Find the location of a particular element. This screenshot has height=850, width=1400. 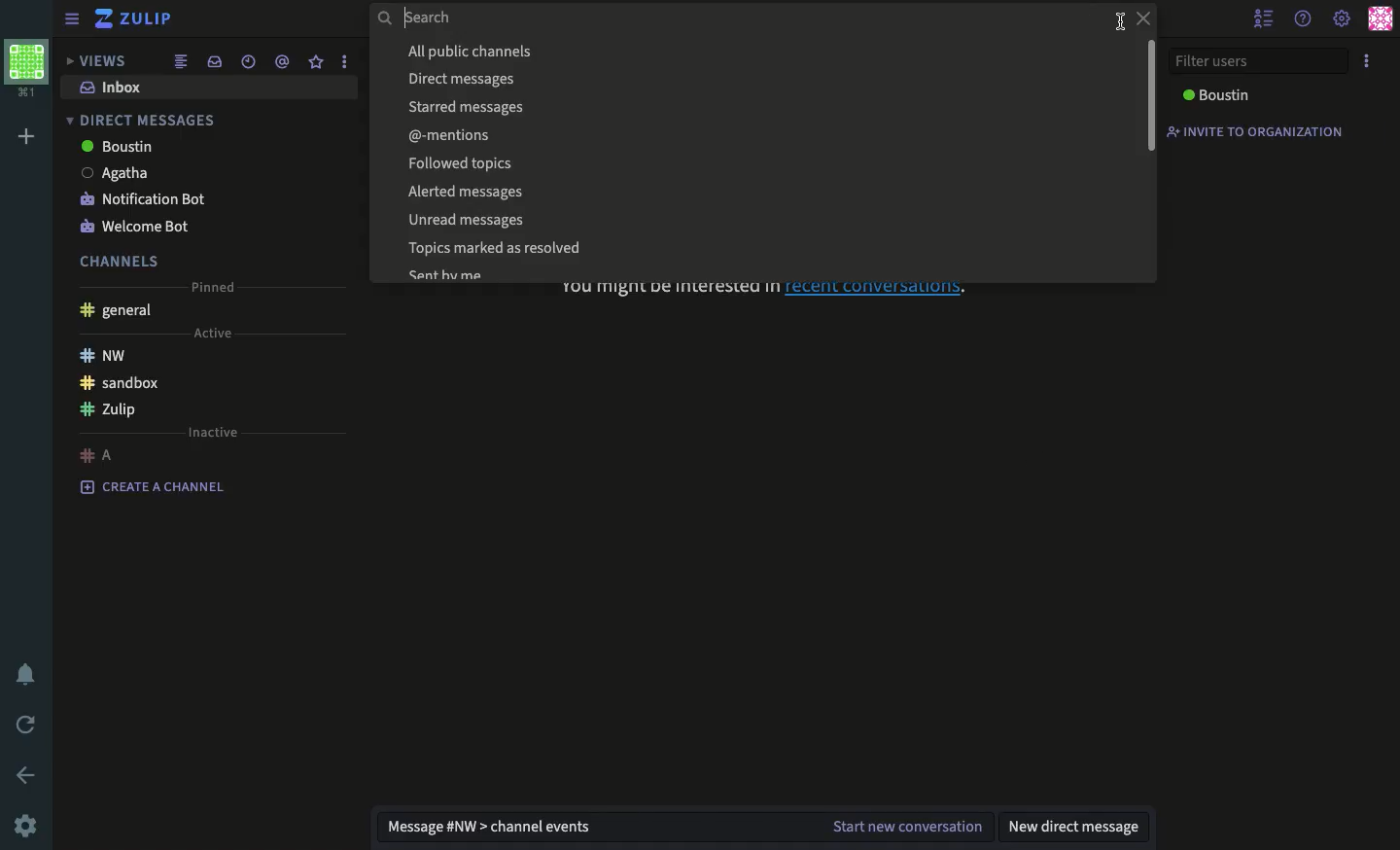

inbox is located at coordinates (214, 60).